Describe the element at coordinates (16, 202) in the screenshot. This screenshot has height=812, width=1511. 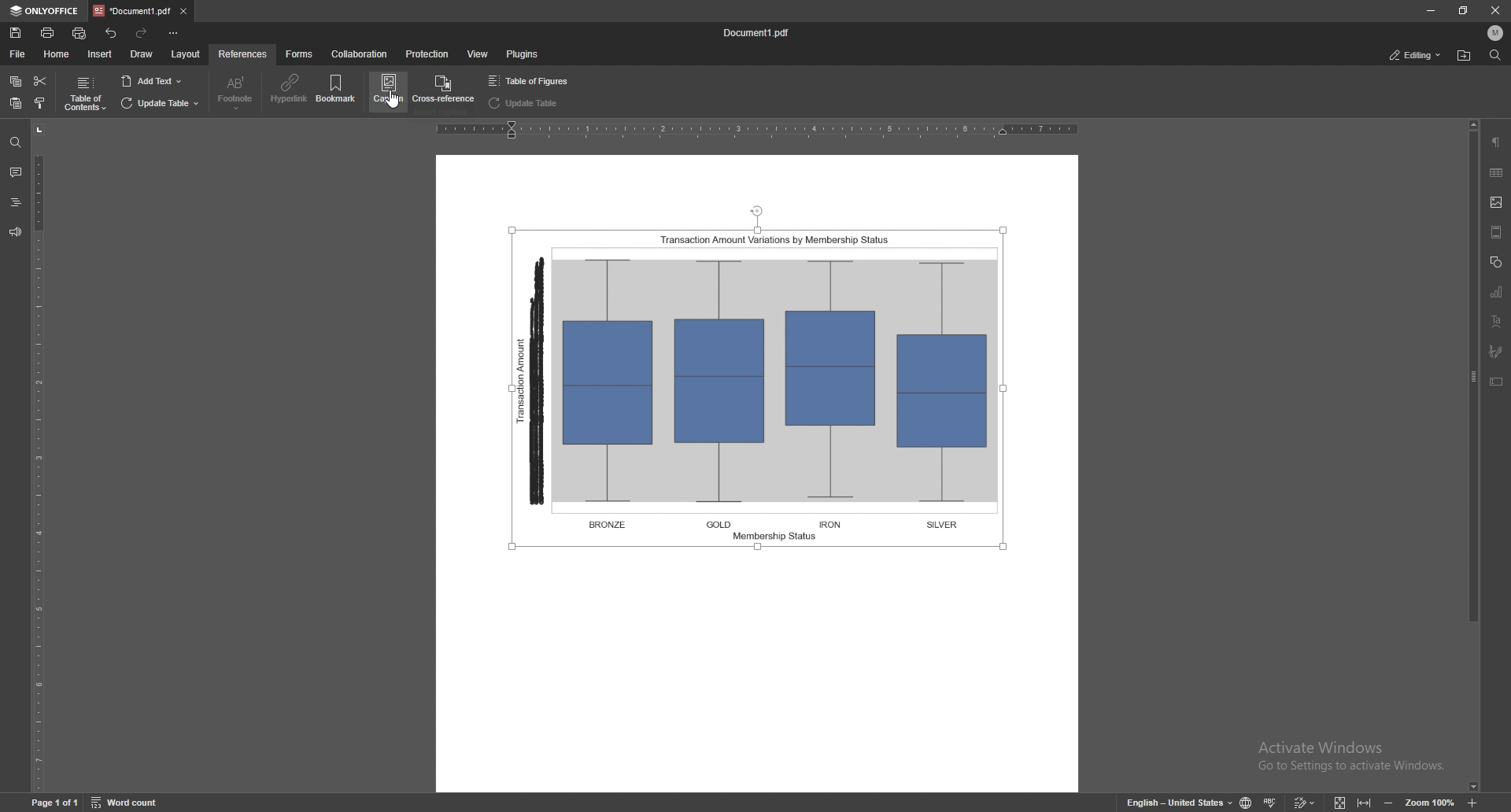
I see `headings` at that location.